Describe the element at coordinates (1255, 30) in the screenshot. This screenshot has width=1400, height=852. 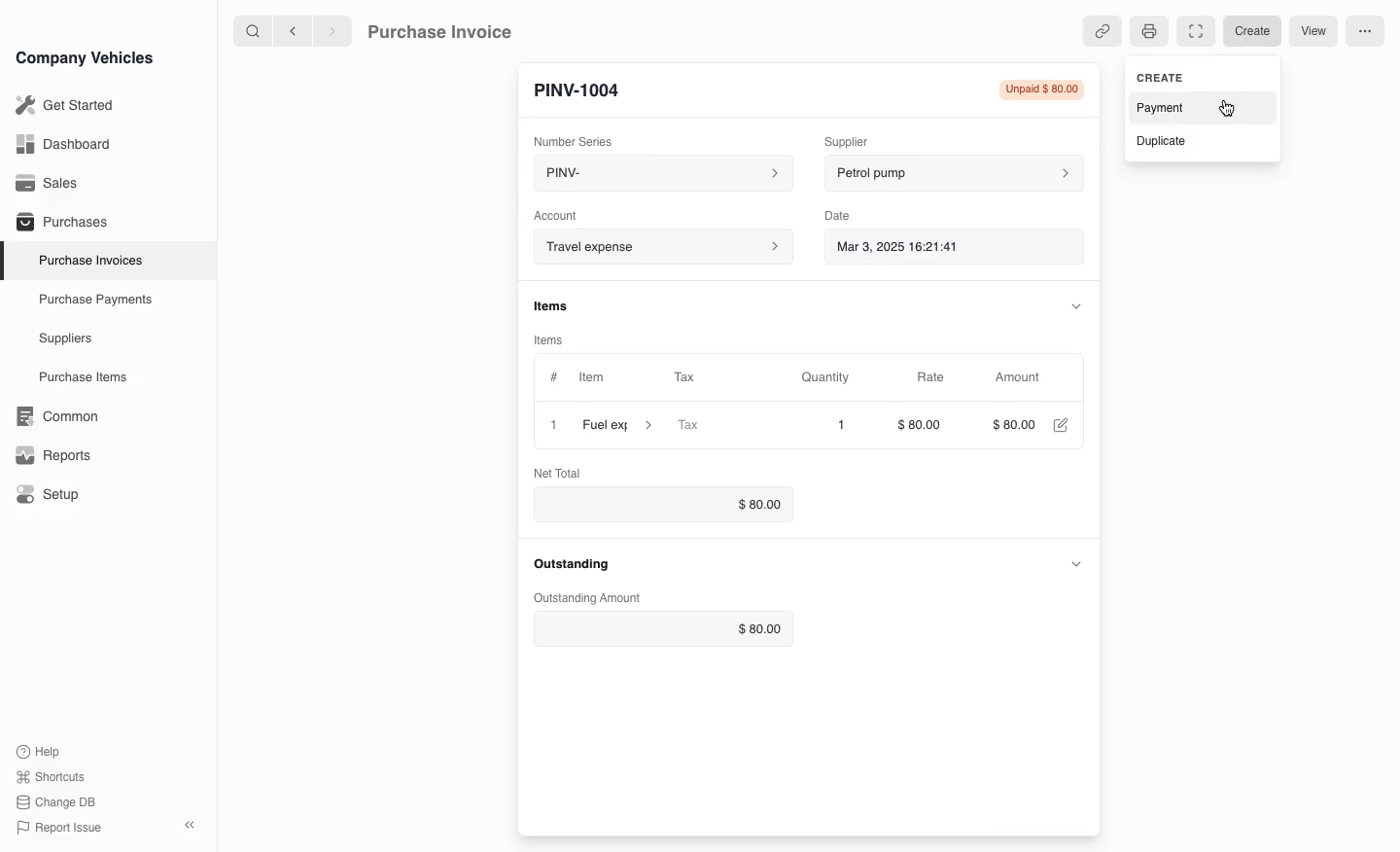
I see `create` at that location.